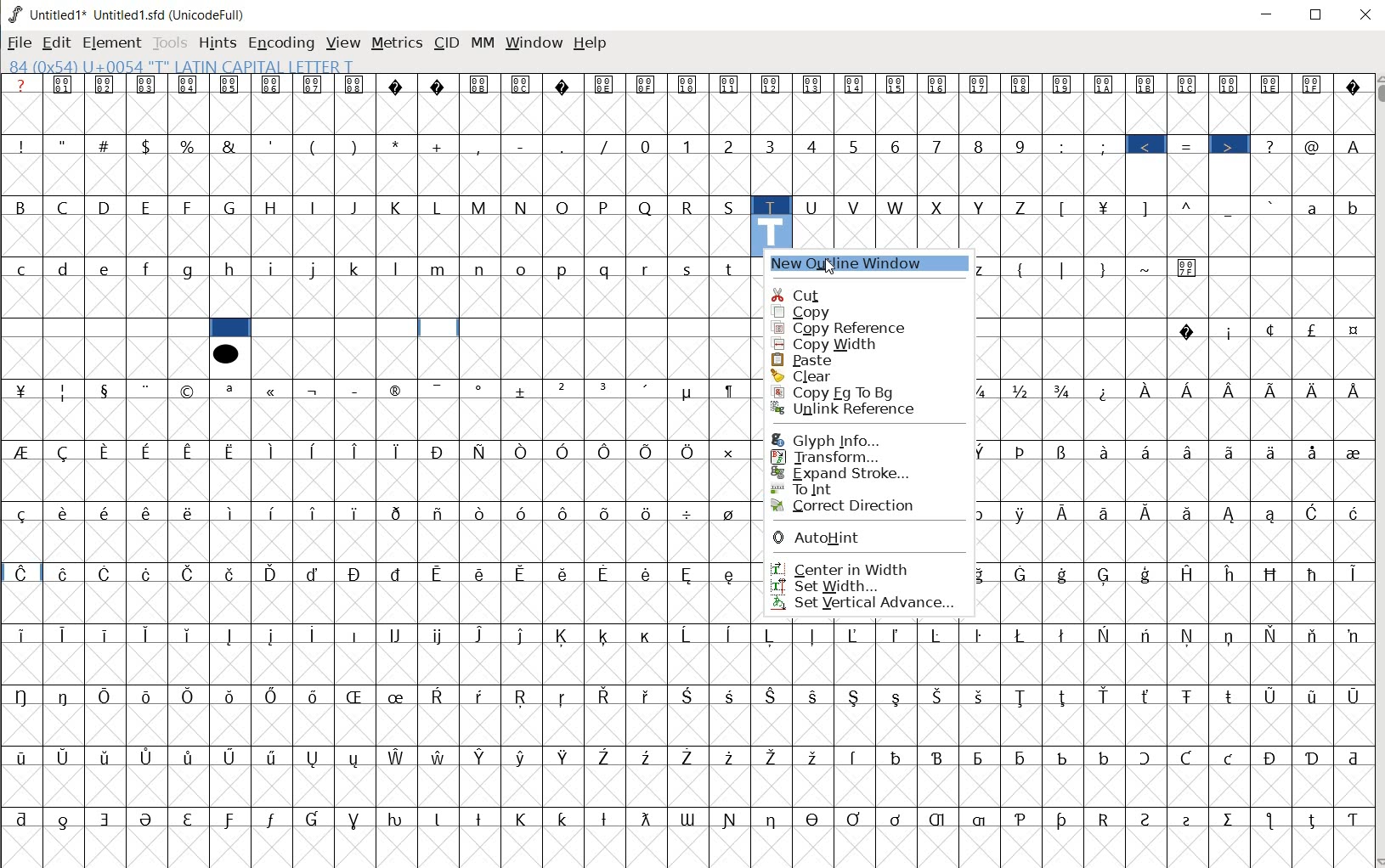 The height and width of the screenshot is (868, 1385). I want to click on Symbol, so click(771, 695).